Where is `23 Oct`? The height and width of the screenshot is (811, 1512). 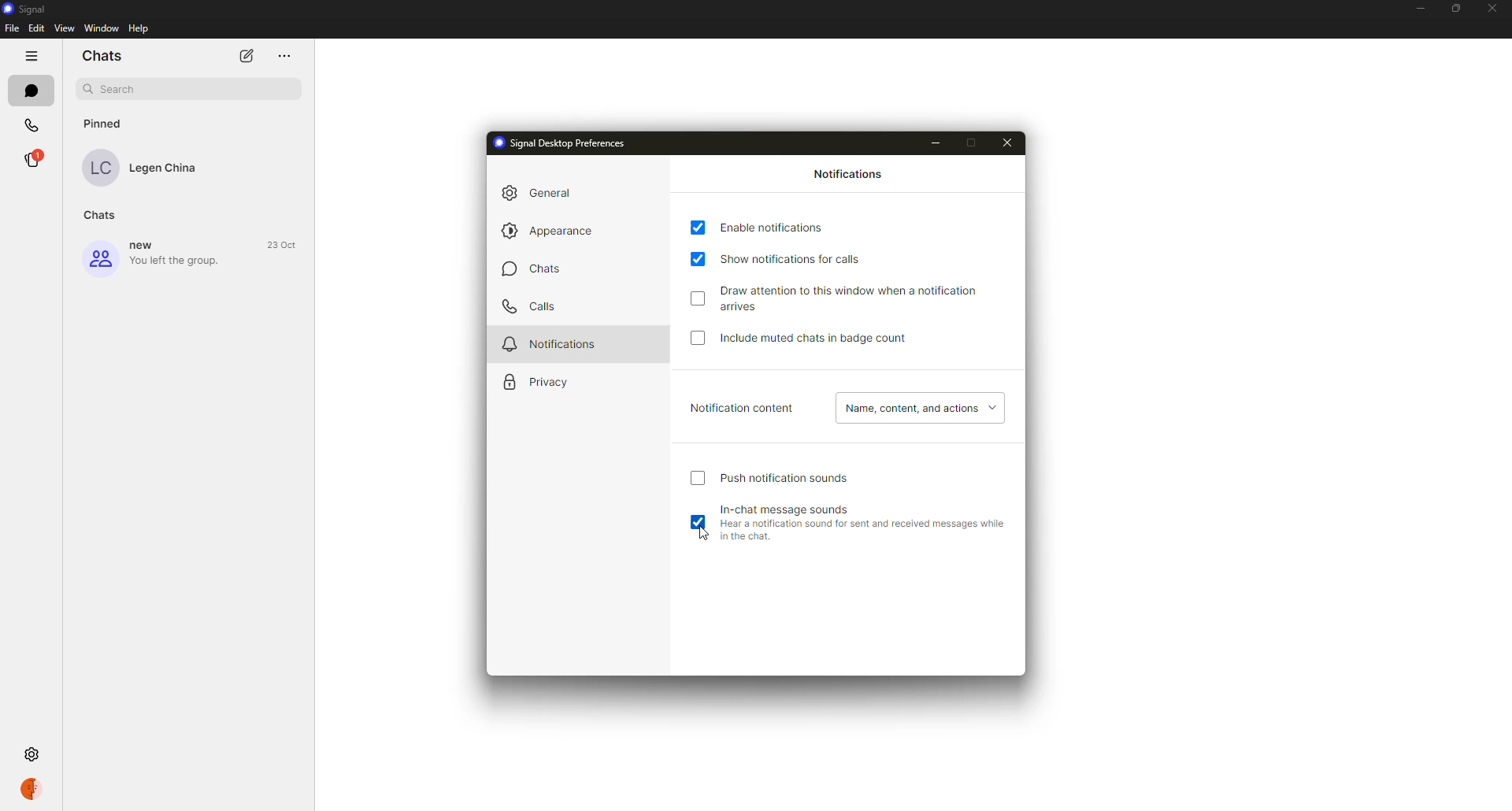 23 Oct is located at coordinates (280, 245).